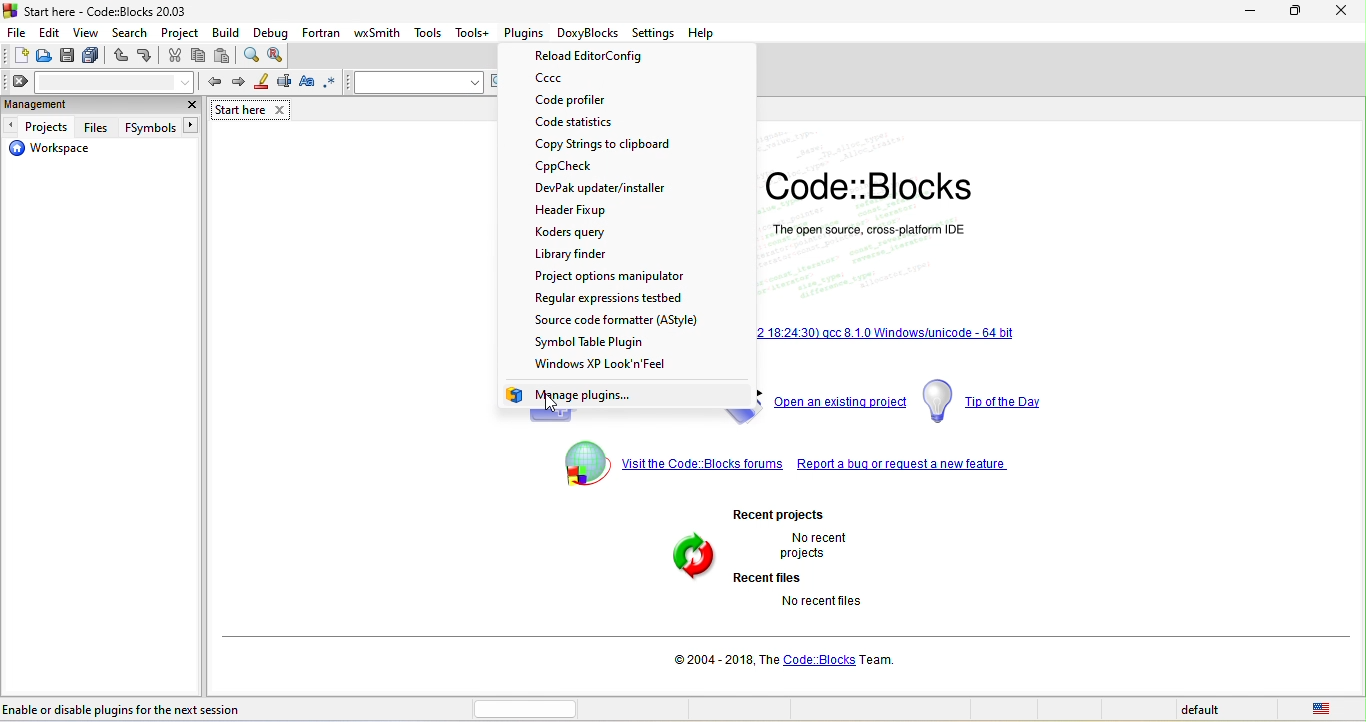 Image resolution: width=1366 pixels, height=722 pixels. Describe the element at coordinates (631, 297) in the screenshot. I see `regular expressions testbed` at that location.